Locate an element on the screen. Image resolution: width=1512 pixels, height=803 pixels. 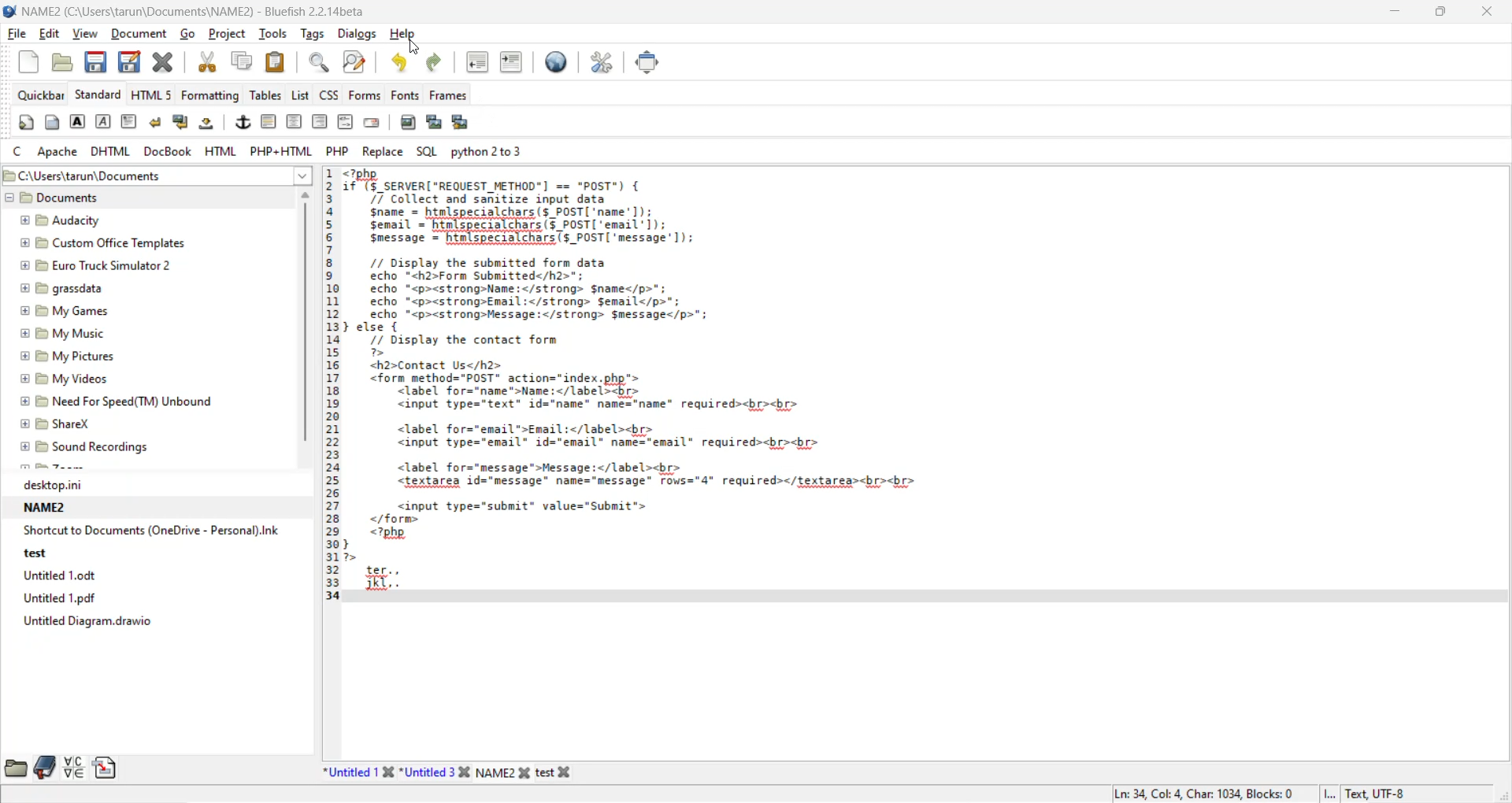
quickbar is located at coordinates (35, 94).